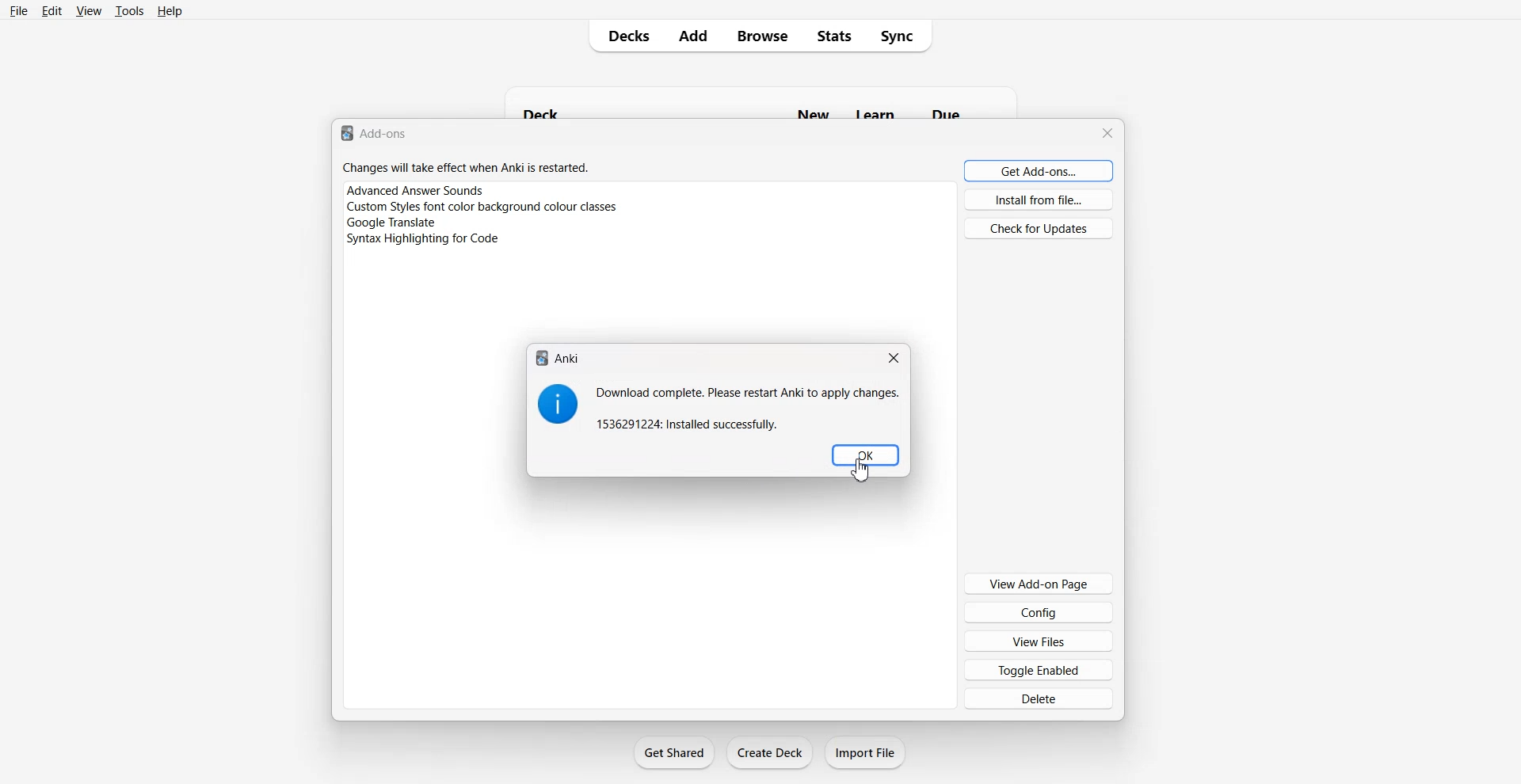  Describe the element at coordinates (1038, 583) in the screenshot. I see `View Add-on Page` at that location.